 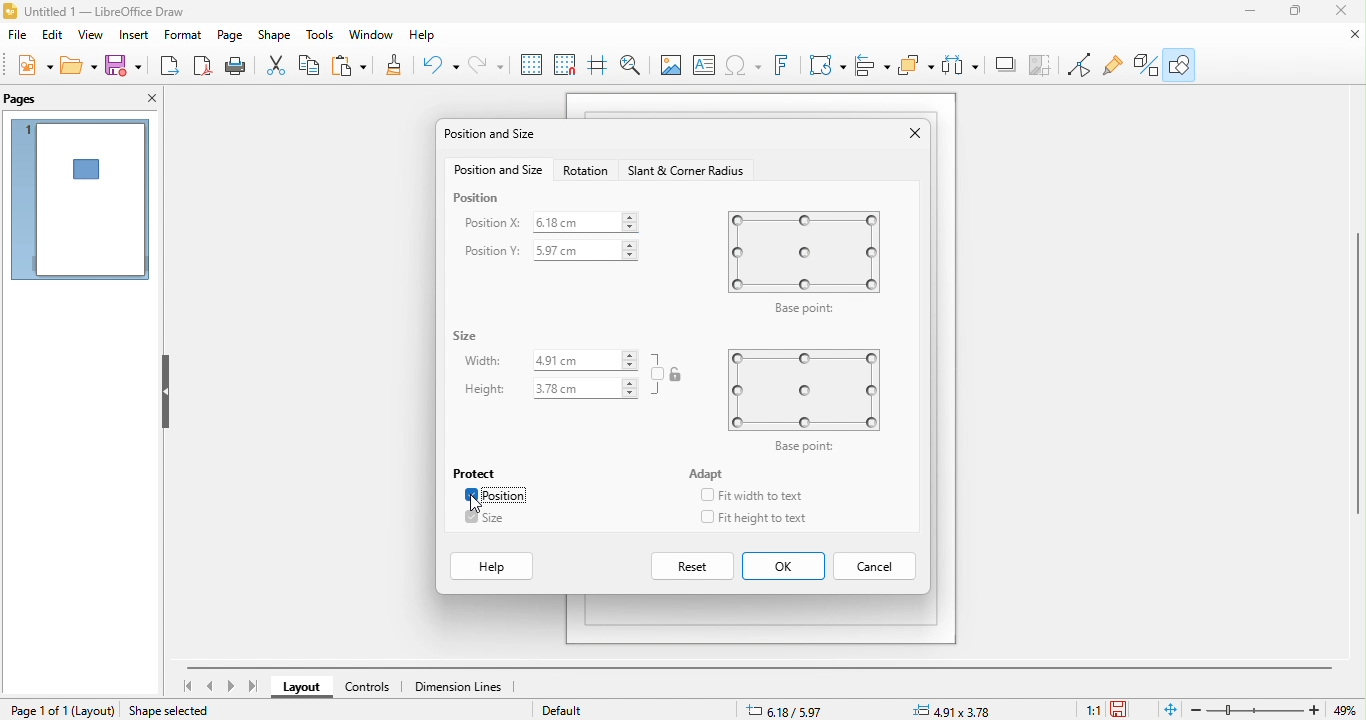 I want to click on 49, so click(x=1348, y=710).